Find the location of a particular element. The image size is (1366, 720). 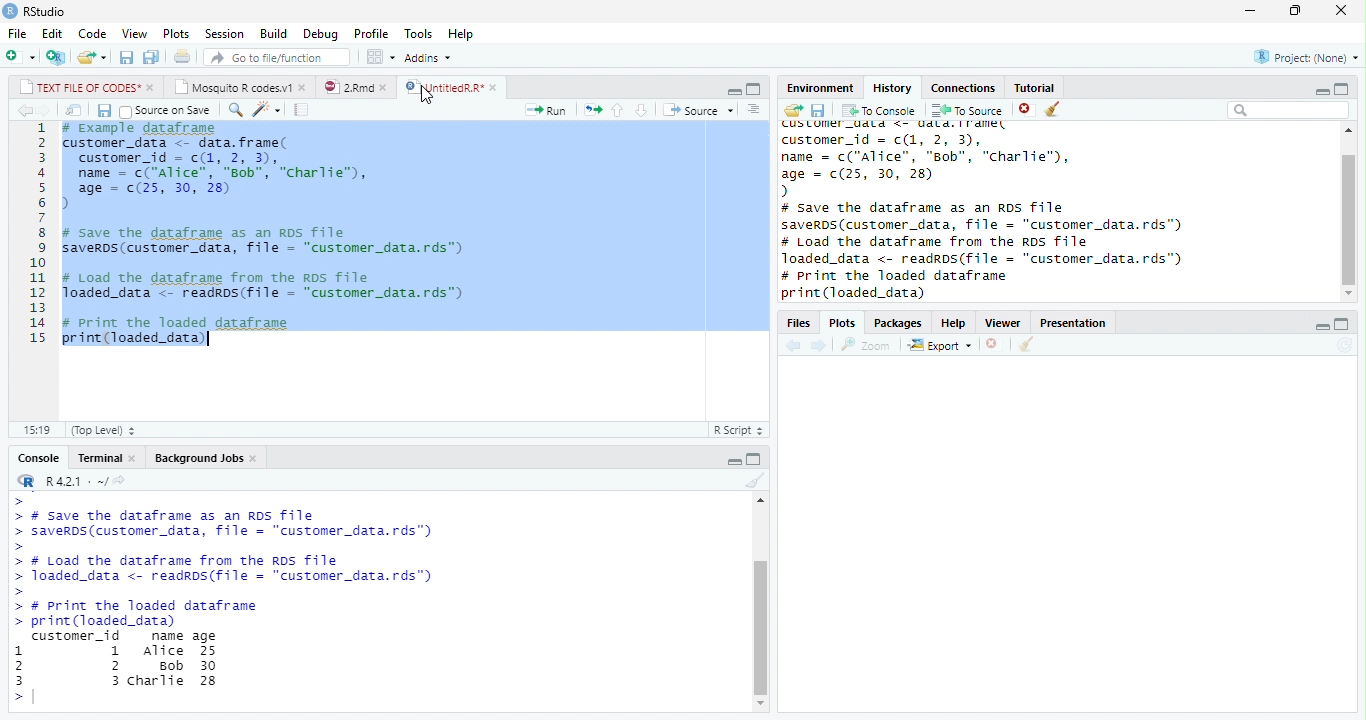

cursor is located at coordinates (426, 96).